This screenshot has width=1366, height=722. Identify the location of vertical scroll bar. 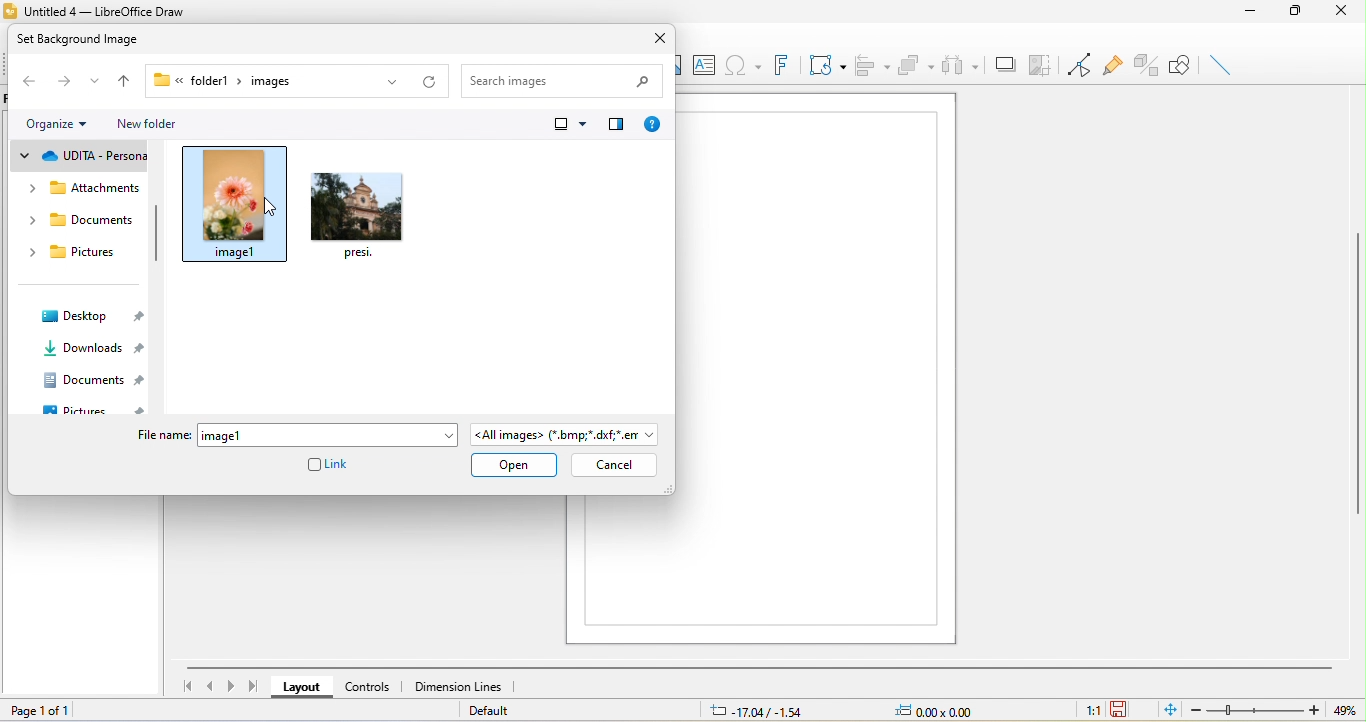
(157, 234).